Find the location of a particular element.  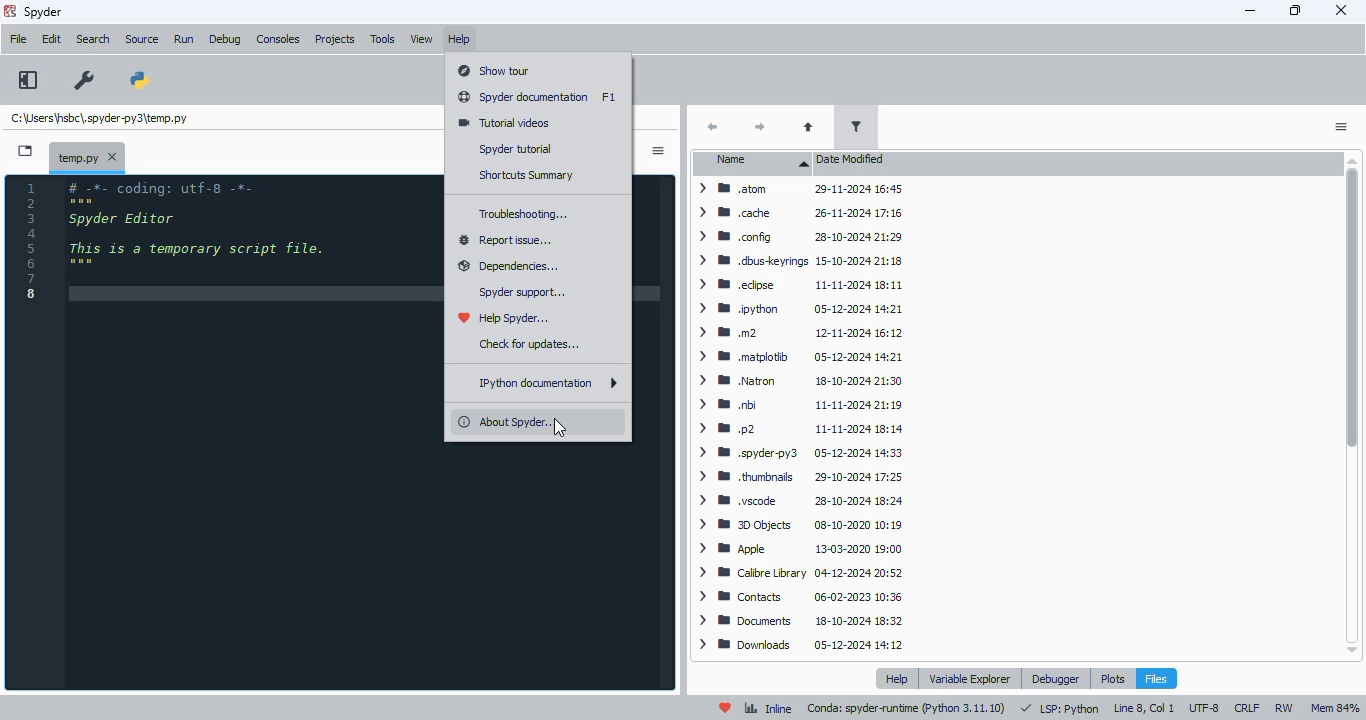

mem 84% is located at coordinates (1335, 708).